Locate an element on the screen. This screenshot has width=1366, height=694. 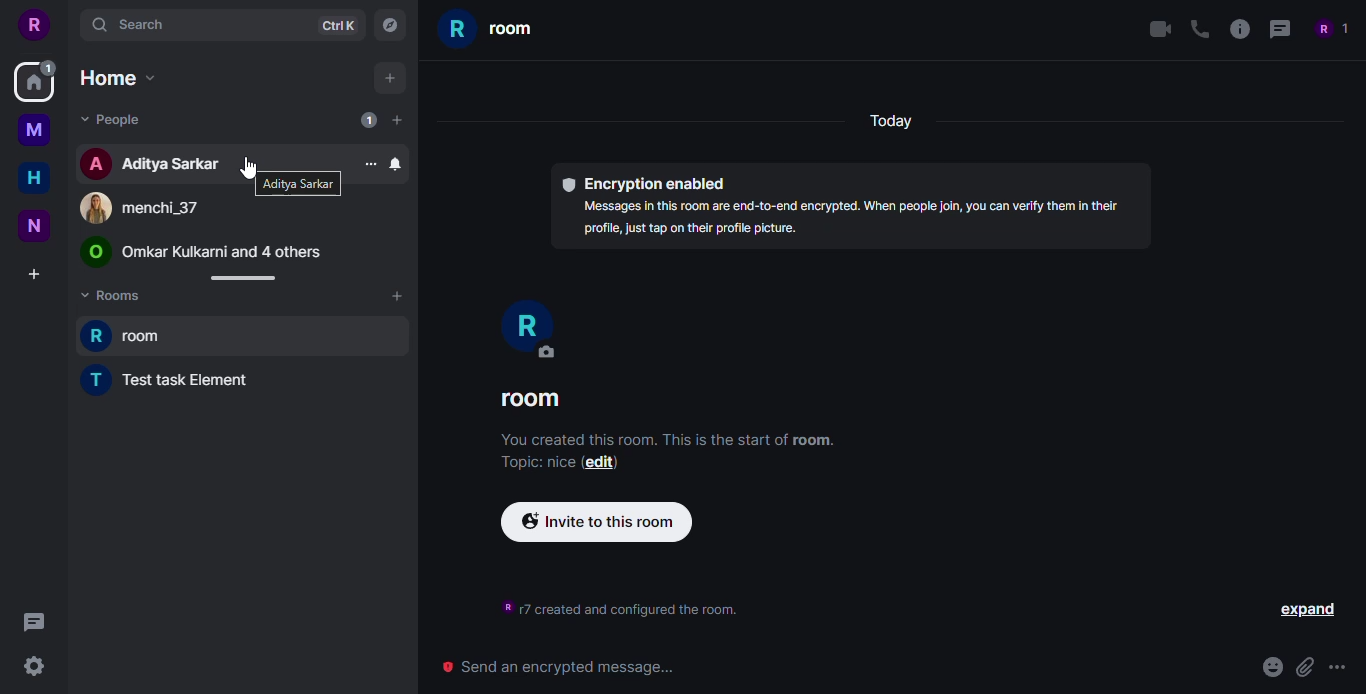
aditya sarkar is located at coordinates (297, 184).